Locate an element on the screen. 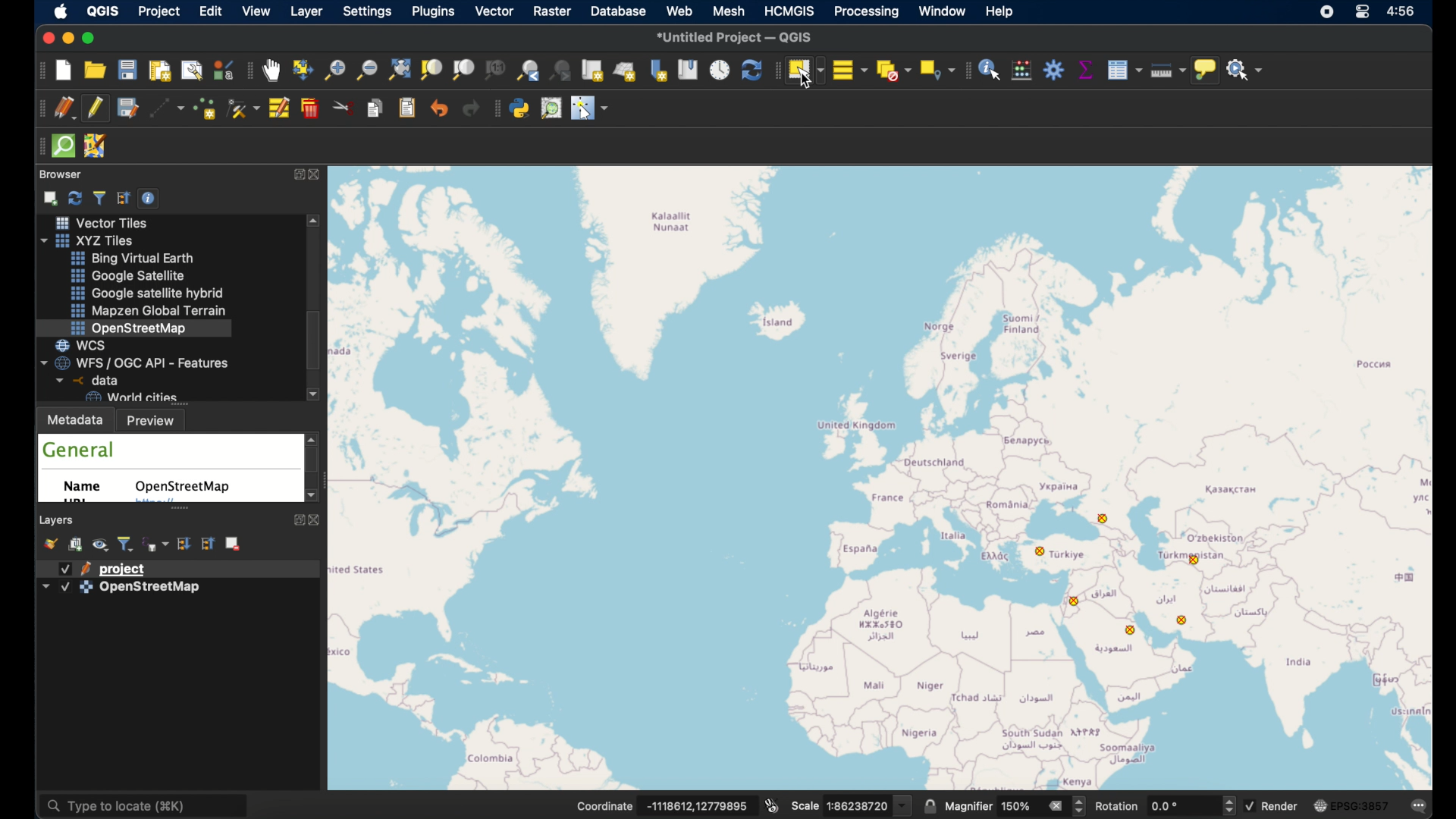 Image resolution: width=1456 pixels, height=819 pixels. no action selected is located at coordinates (1246, 71).